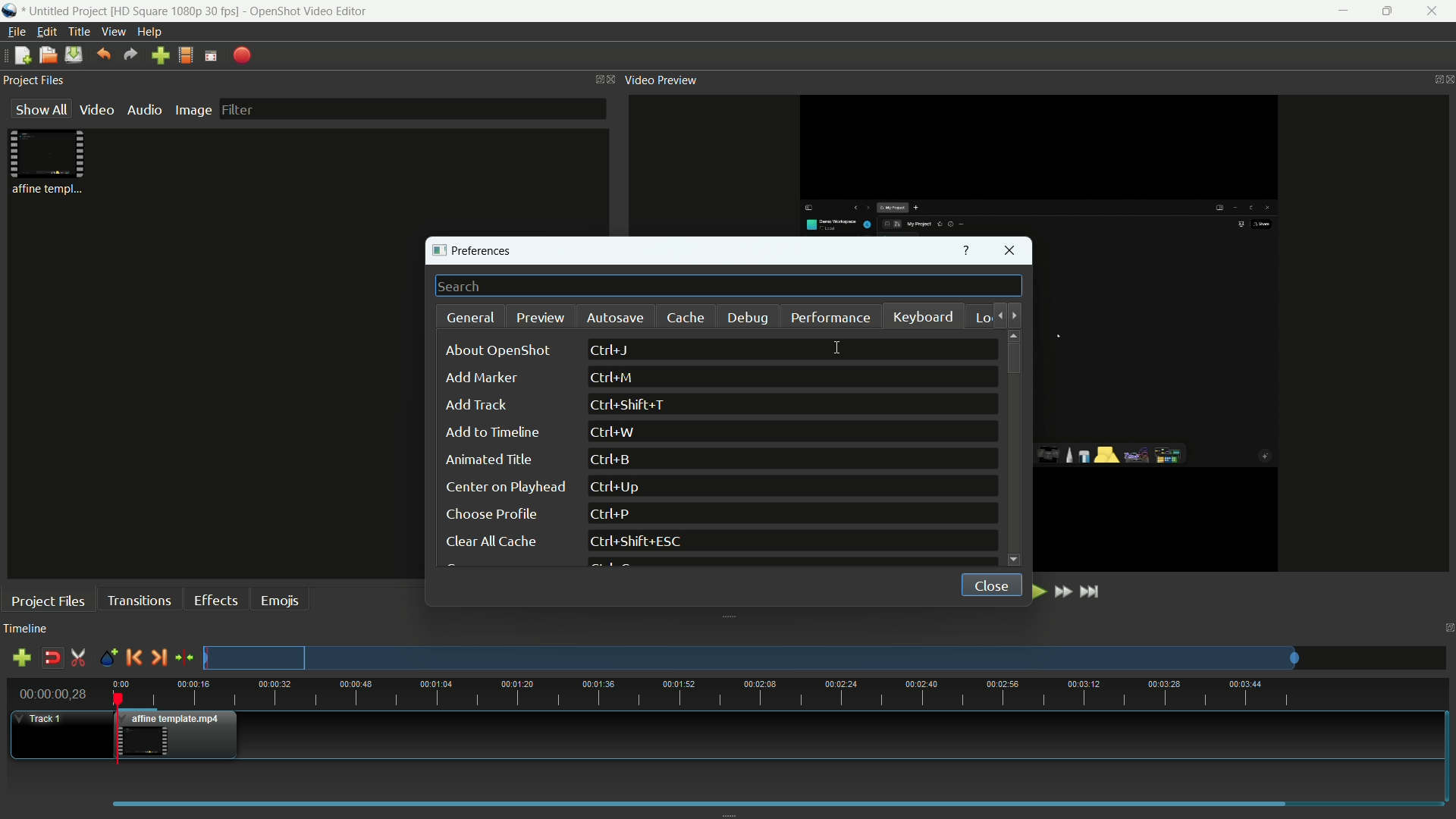 Image resolution: width=1456 pixels, height=819 pixels. I want to click on project files, so click(36, 81).